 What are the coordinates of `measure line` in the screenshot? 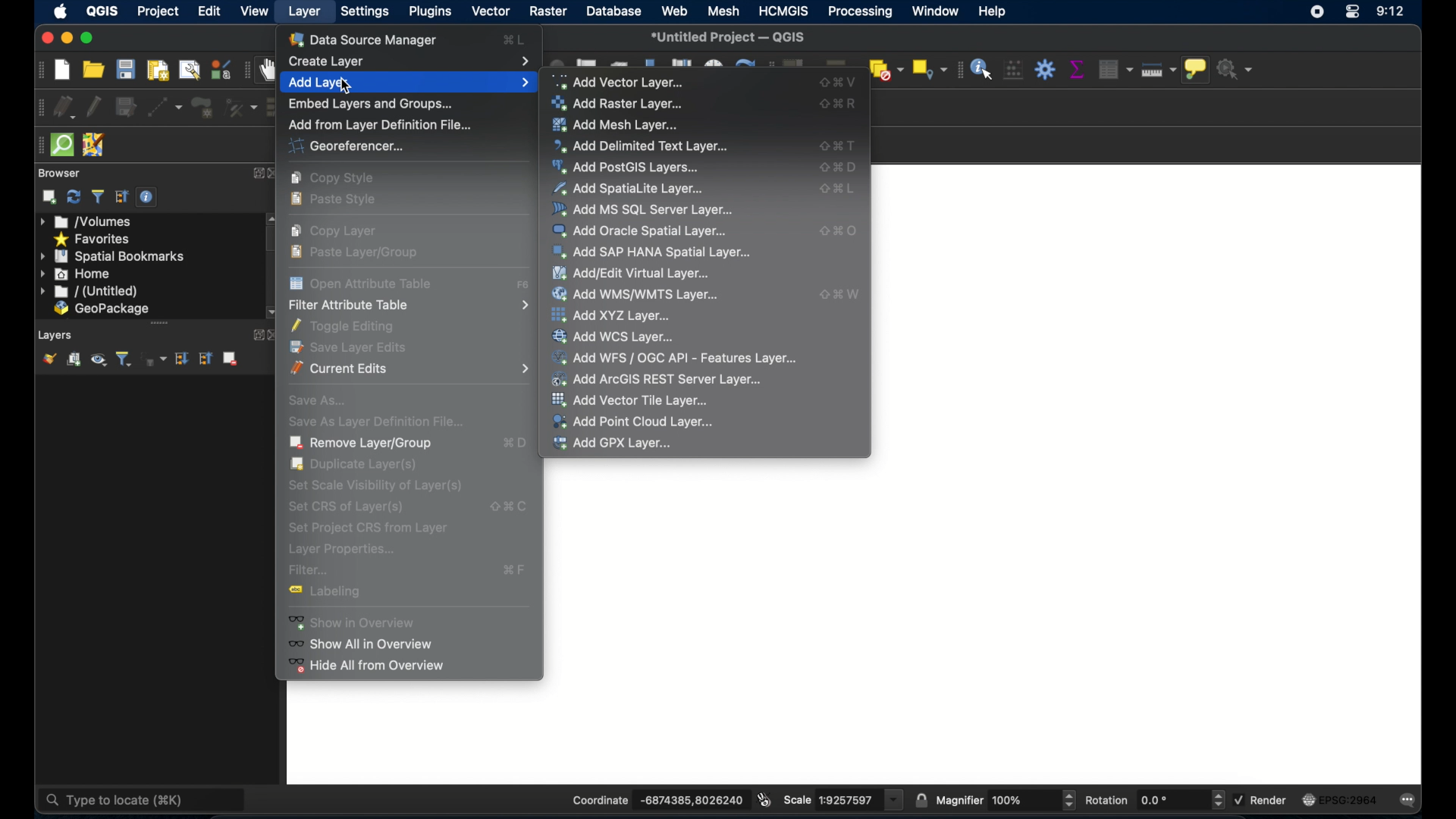 It's located at (1159, 71).